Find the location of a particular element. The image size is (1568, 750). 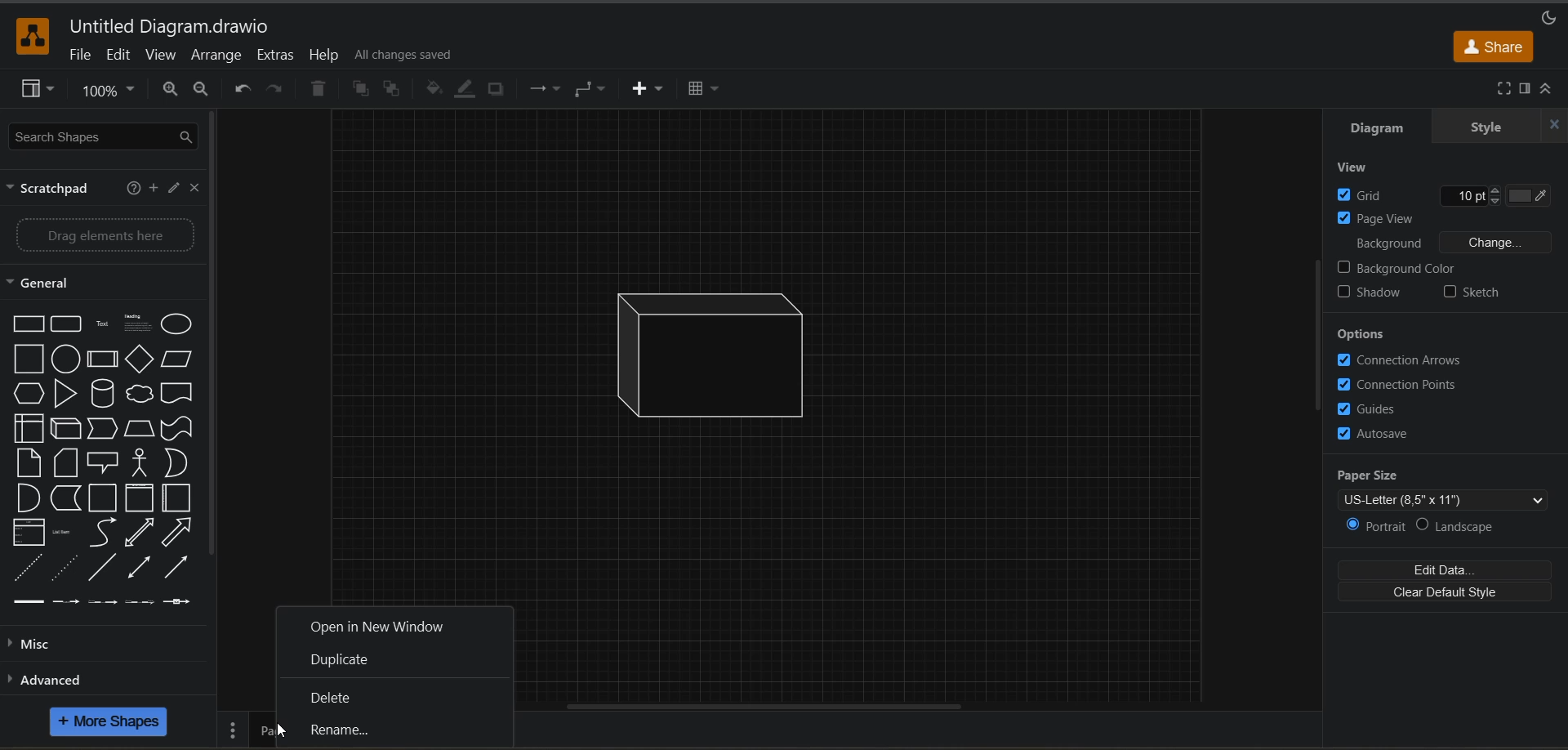

edit is located at coordinates (122, 57).